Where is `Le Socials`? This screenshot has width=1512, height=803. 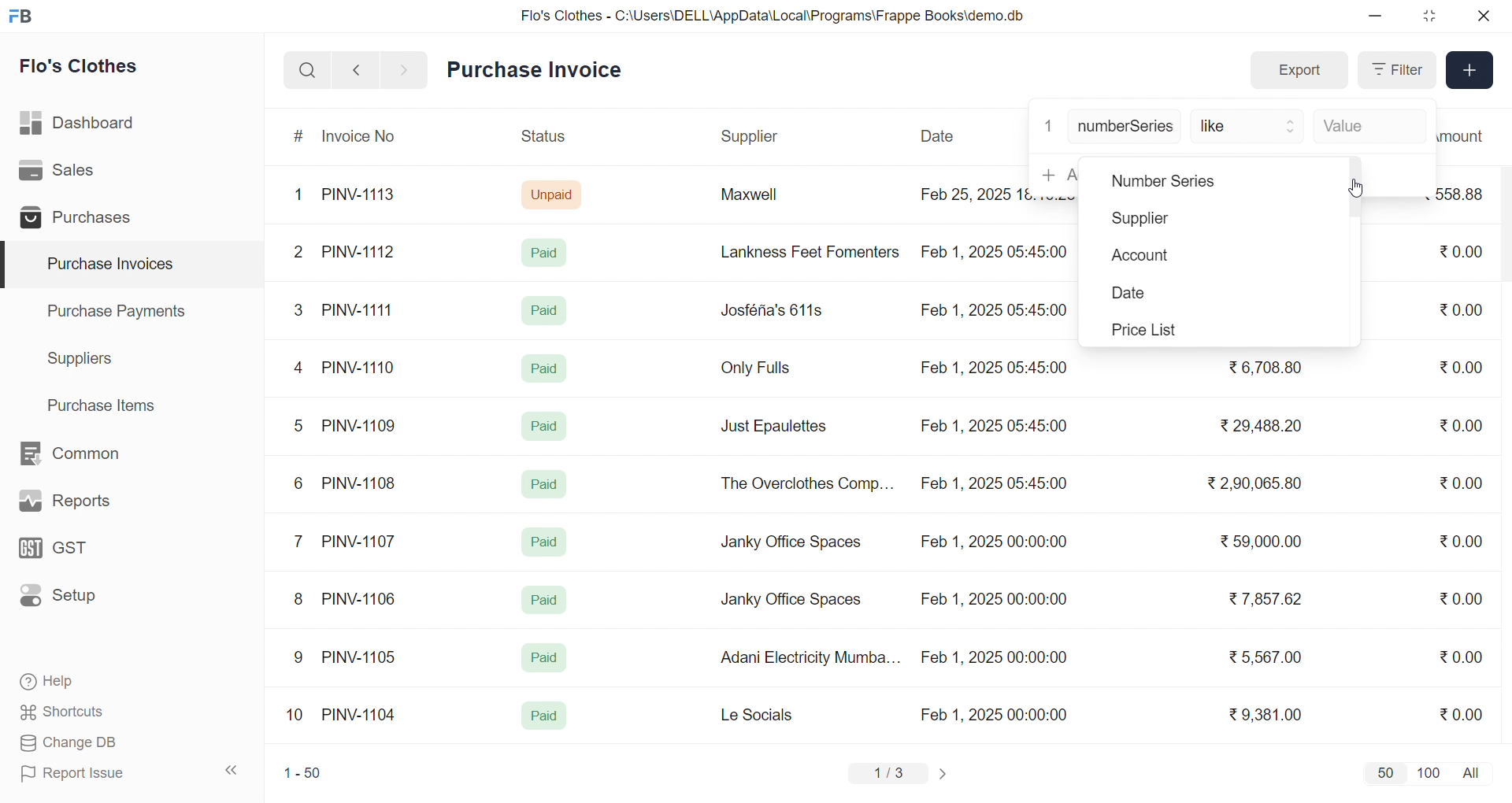
Le Socials is located at coordinates (770, 714).